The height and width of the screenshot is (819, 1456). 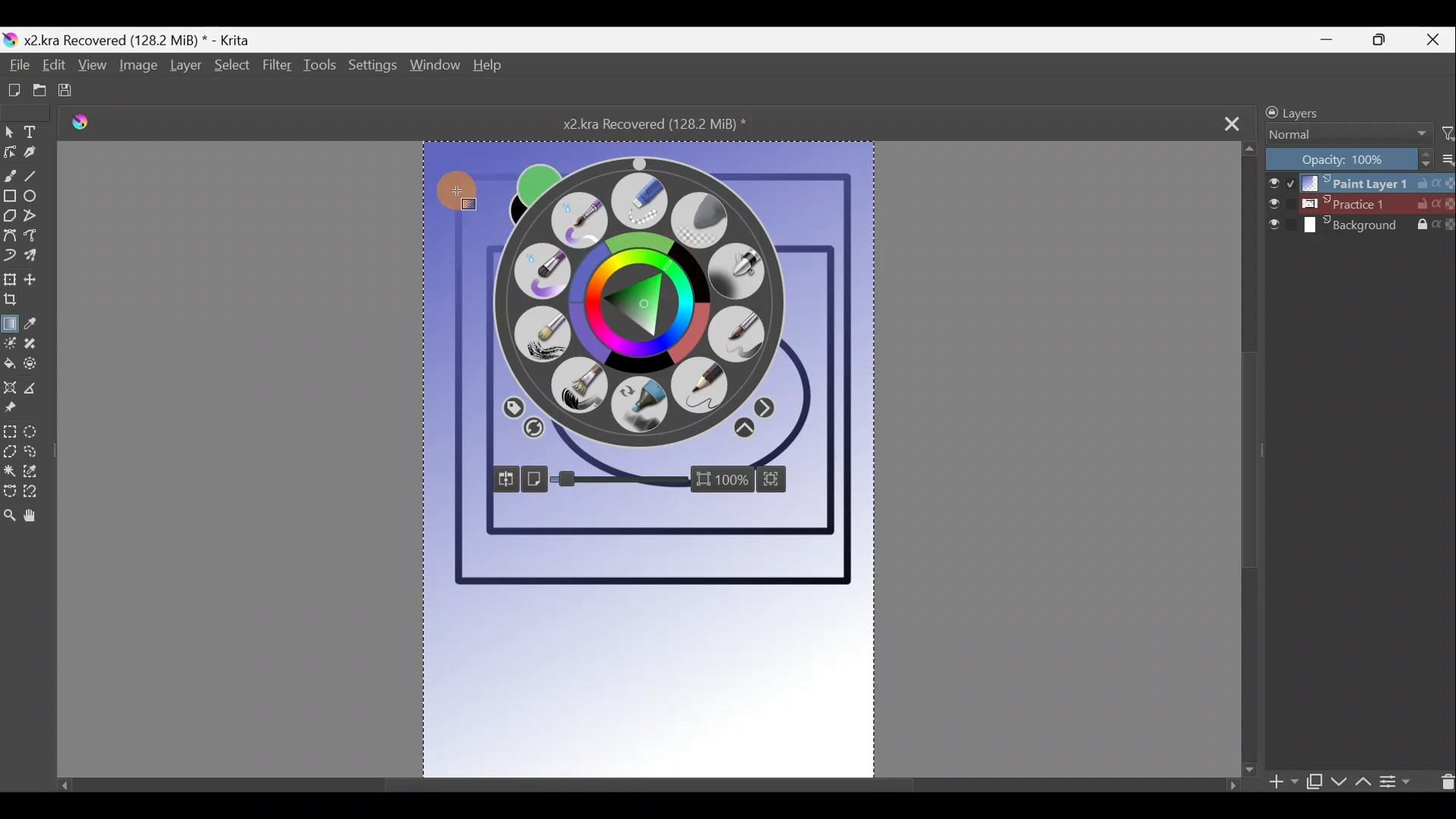 I want to click on Similar colour selection tool, so click(x=34, y=475).